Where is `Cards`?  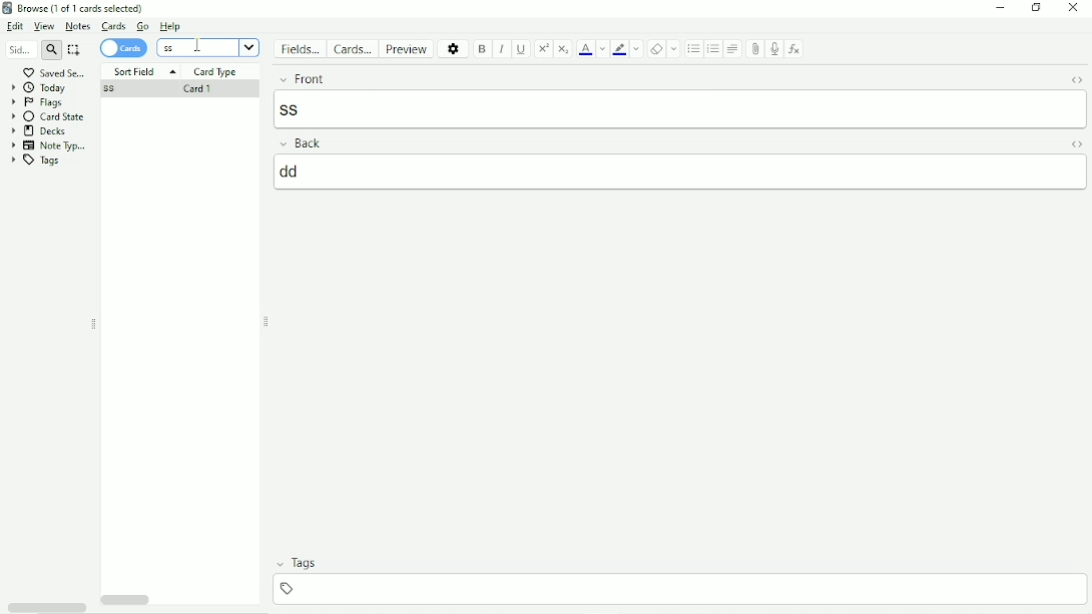 Cards is located at coordinates (355, 48).